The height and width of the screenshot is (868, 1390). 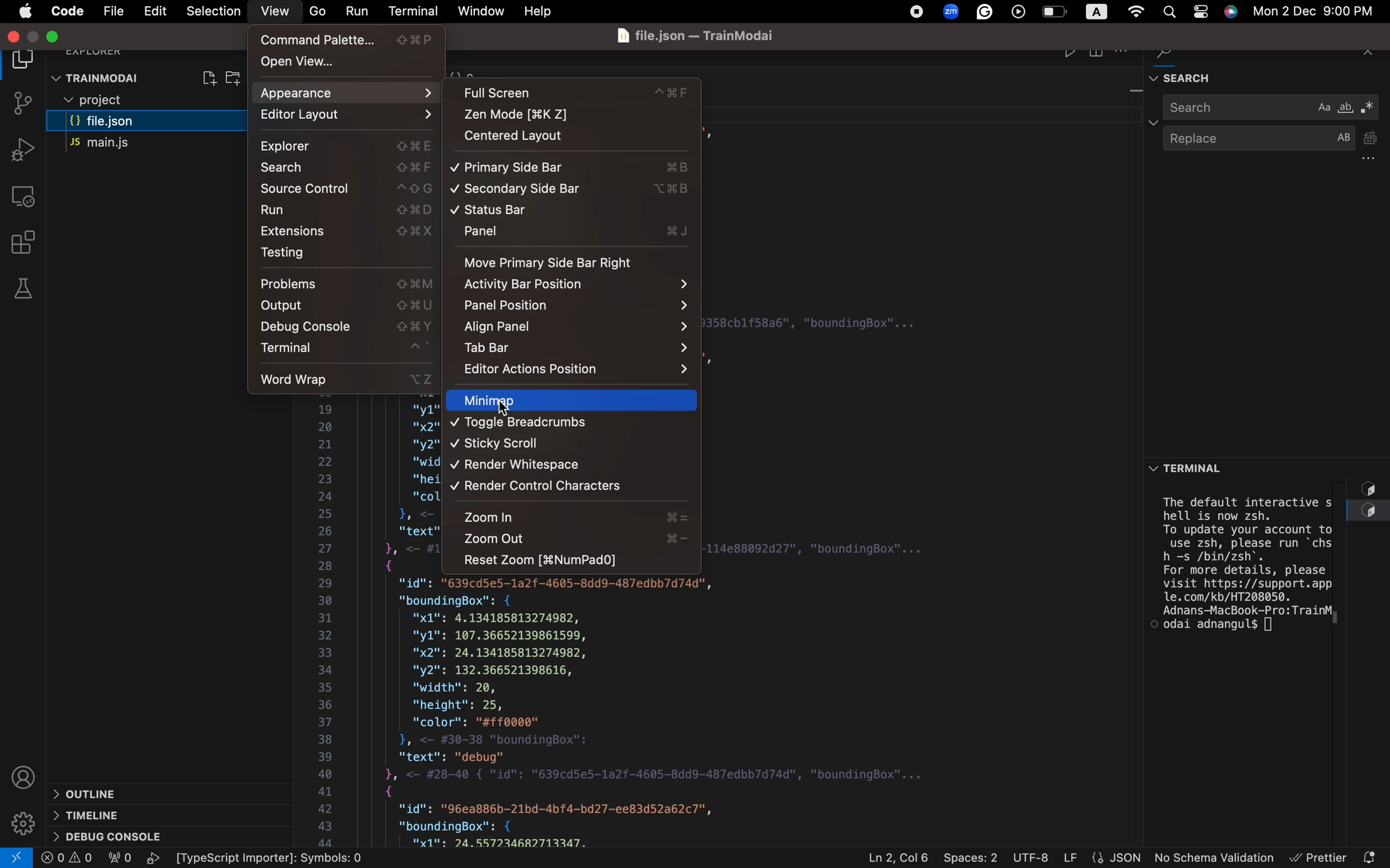 I want to click on file name, so click(x=698, y=36).